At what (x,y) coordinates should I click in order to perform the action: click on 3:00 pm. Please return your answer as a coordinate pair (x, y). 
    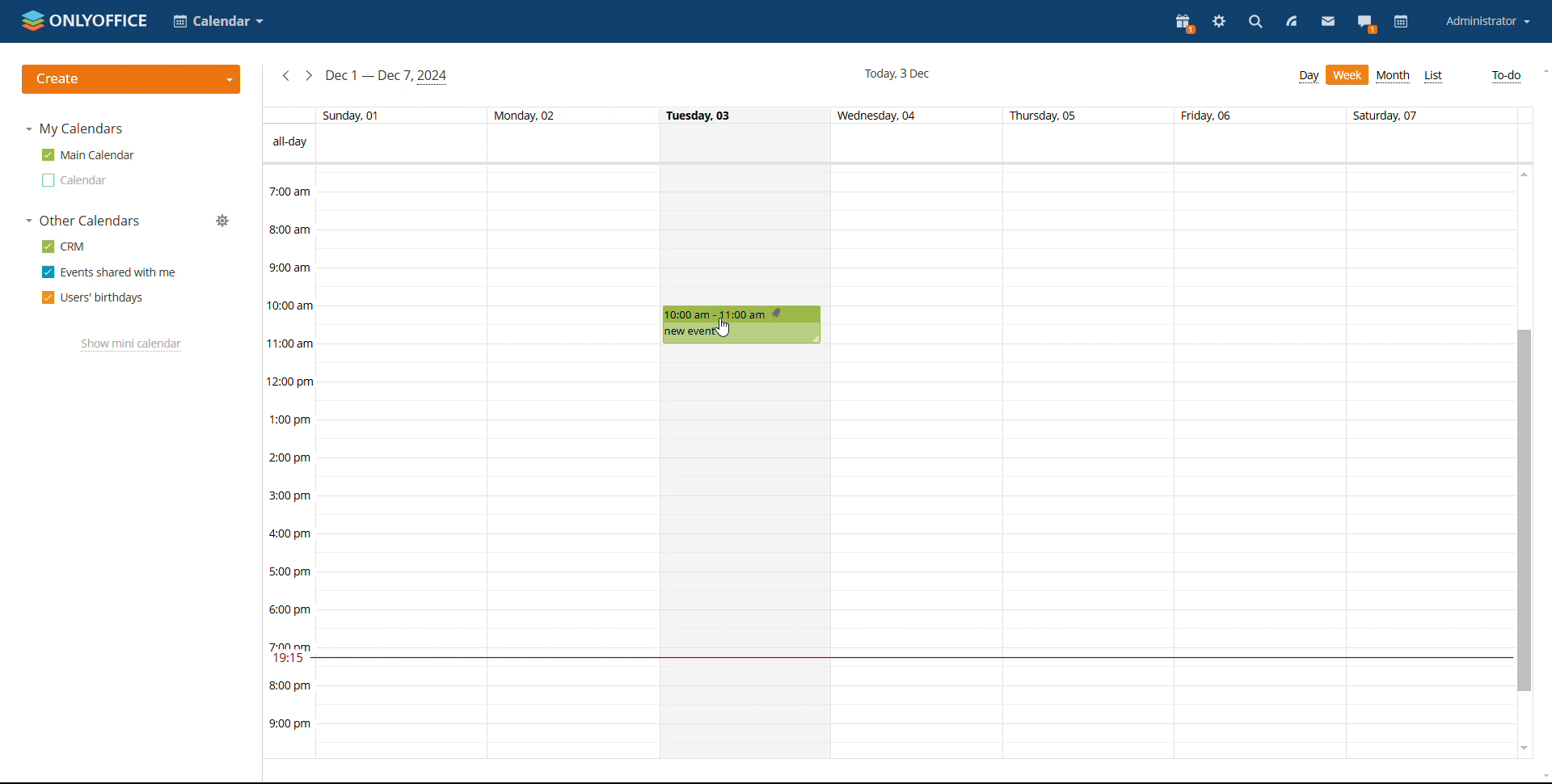
    Looking at the image, I should click on (293, 495).